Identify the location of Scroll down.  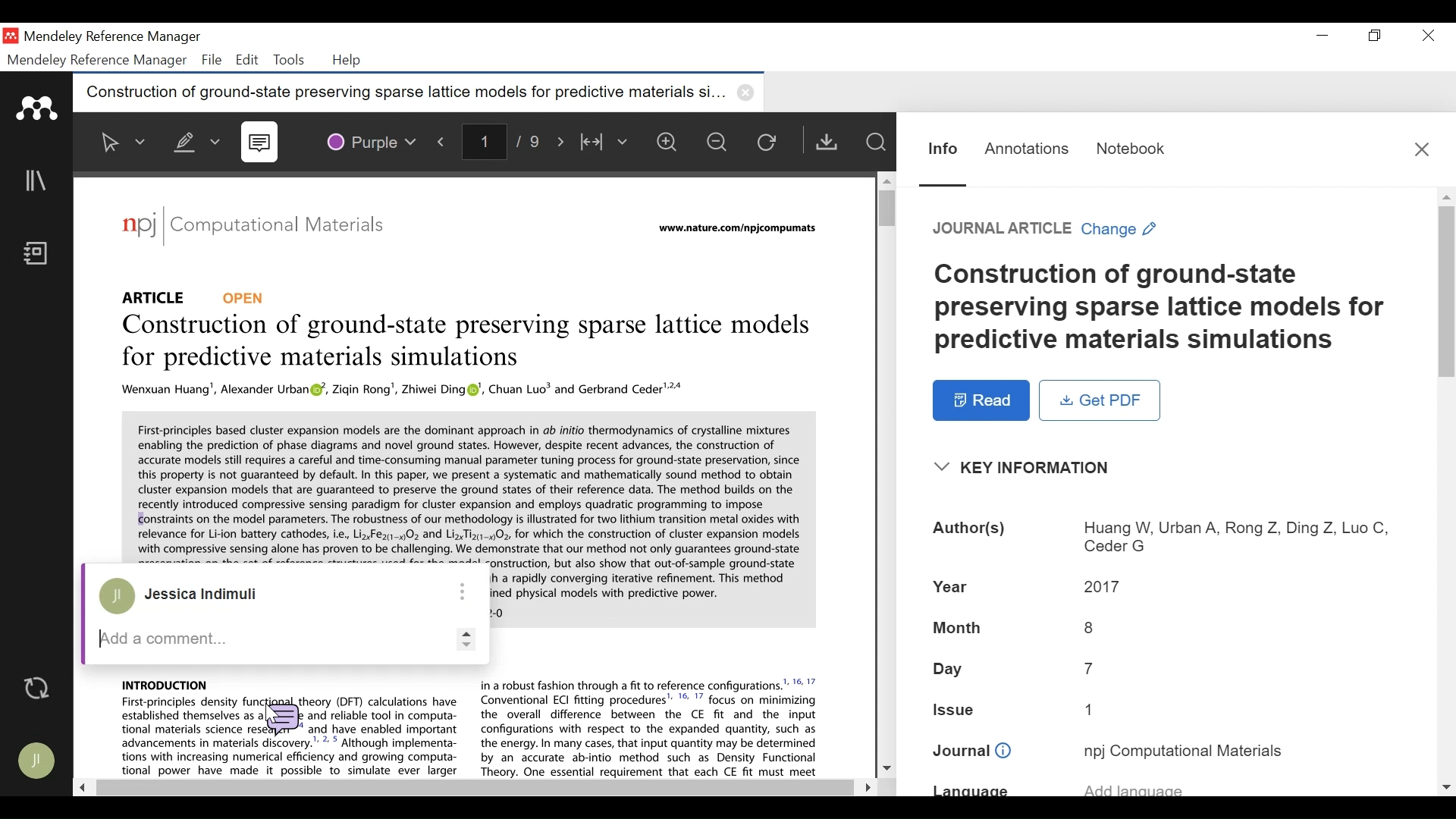
(886, 769).